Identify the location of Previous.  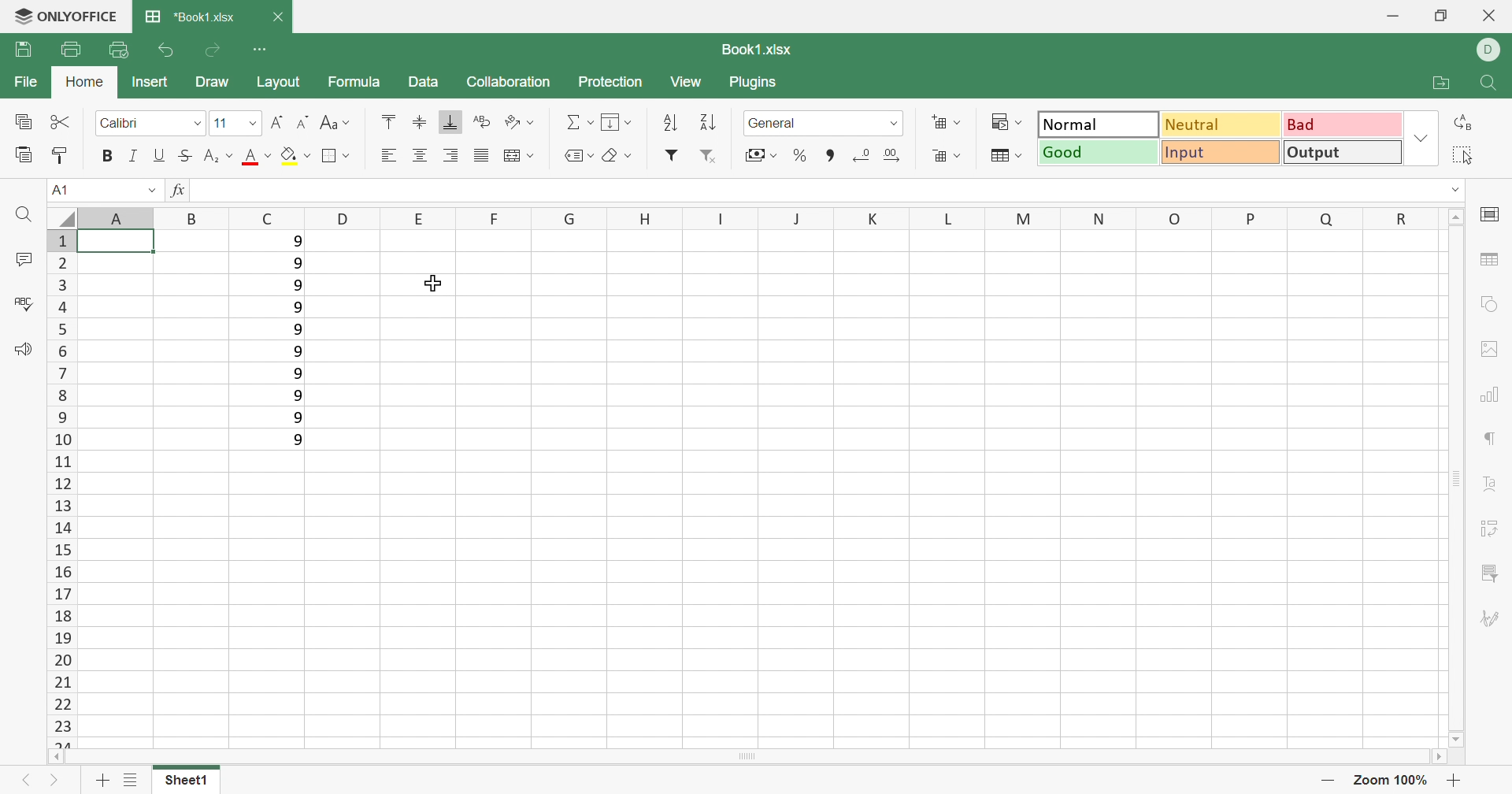
(26, 781).